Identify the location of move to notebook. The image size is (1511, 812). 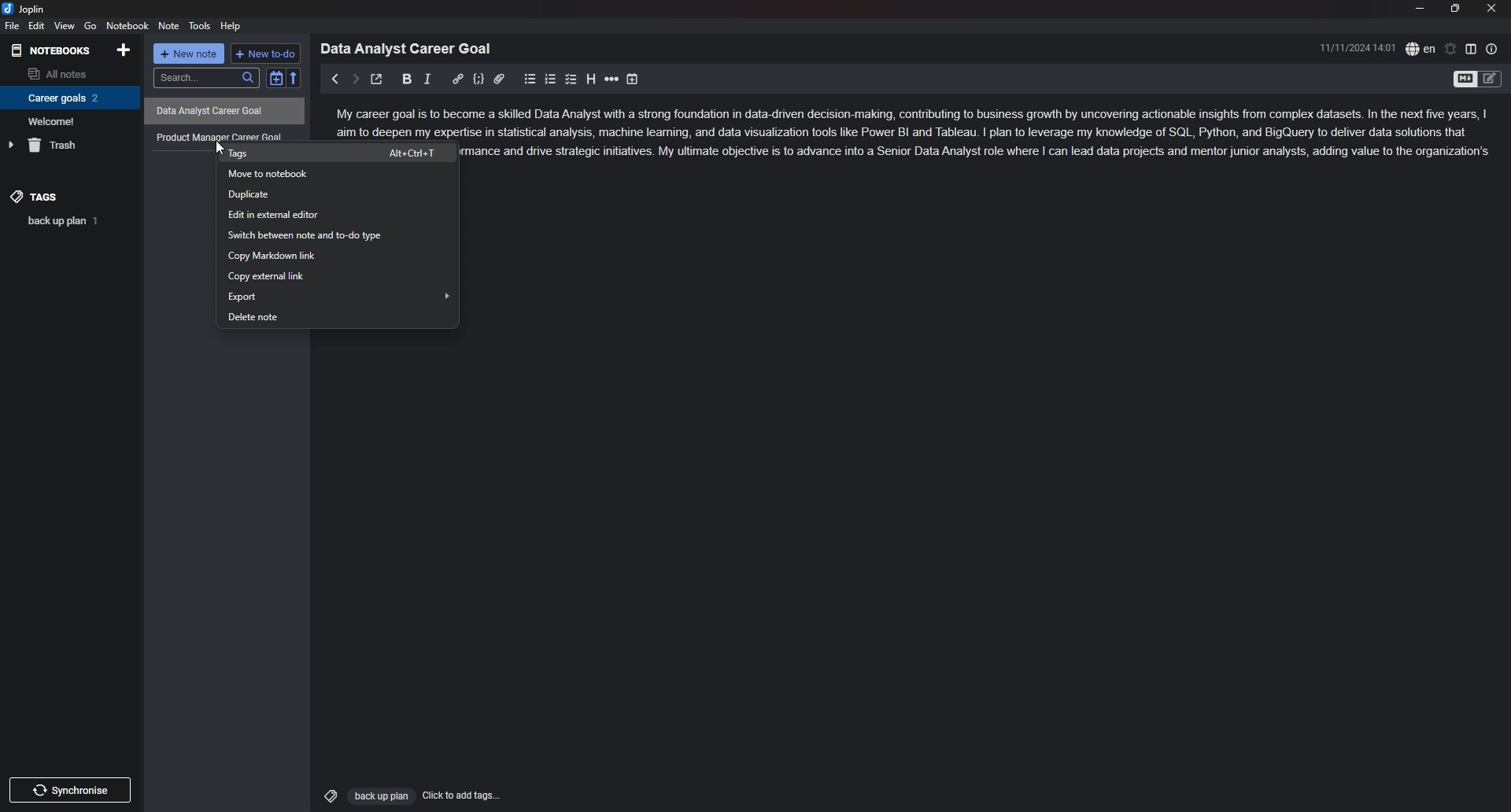
(334, 174).